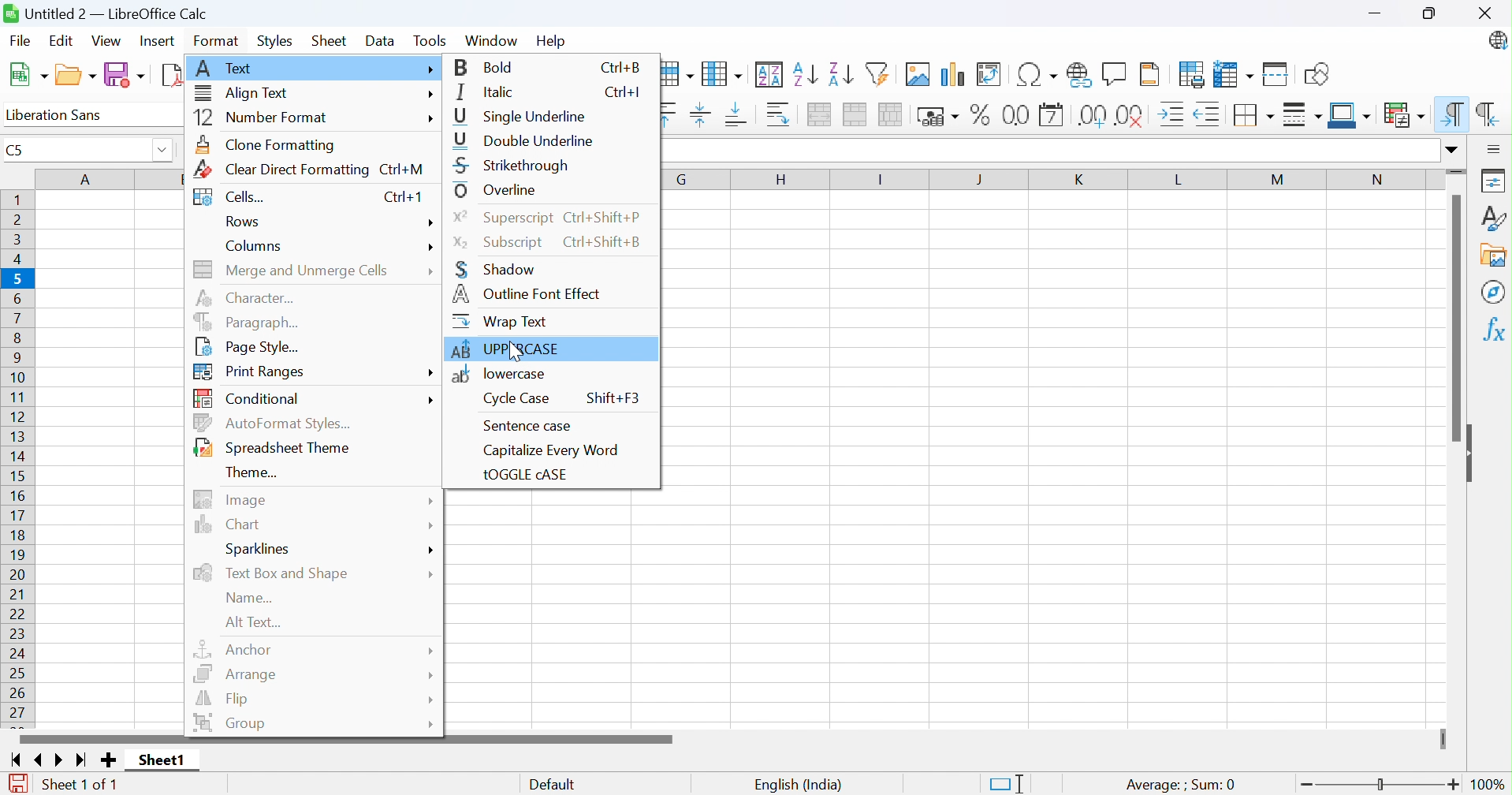  Describe the element at coordinates (501, 243) in the screenshot. I see `Subscript` at that location.